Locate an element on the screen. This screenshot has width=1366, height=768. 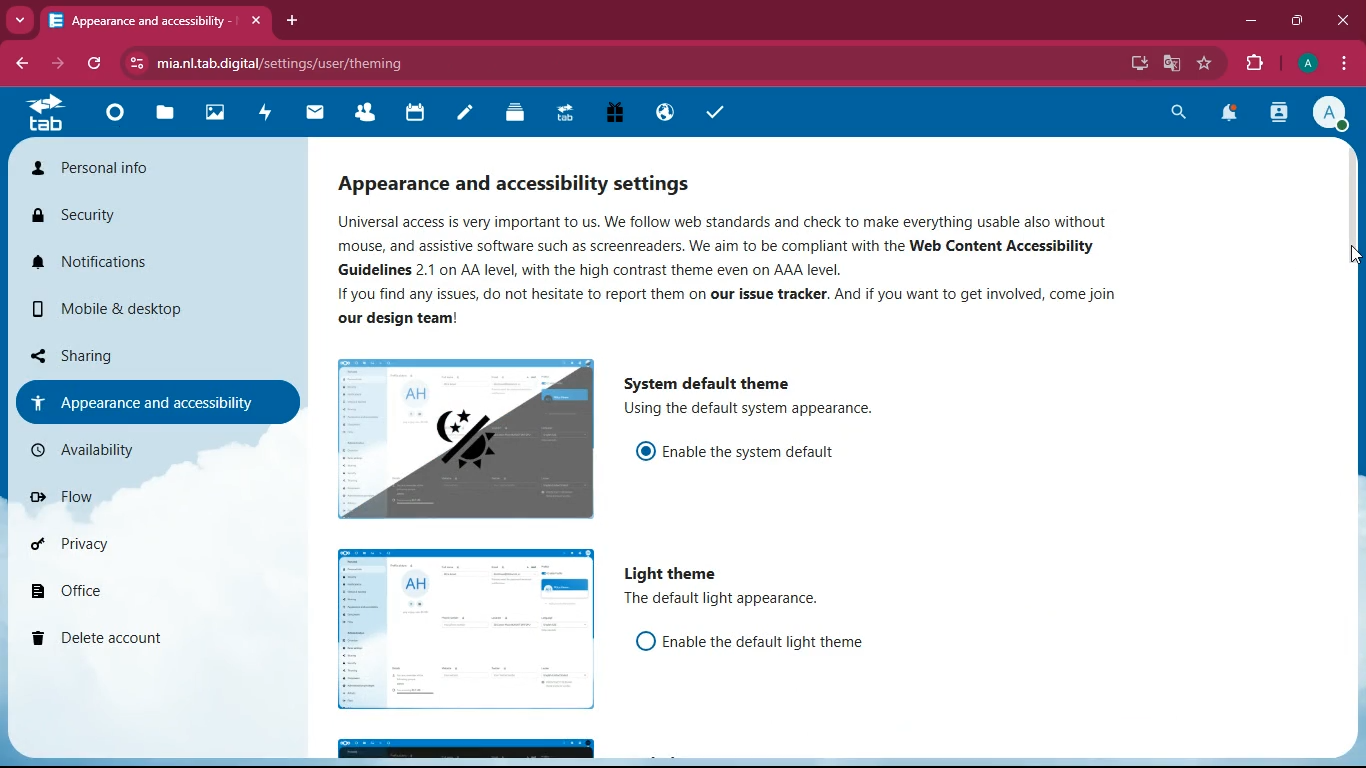
forward is located at coordinates (60, 63).